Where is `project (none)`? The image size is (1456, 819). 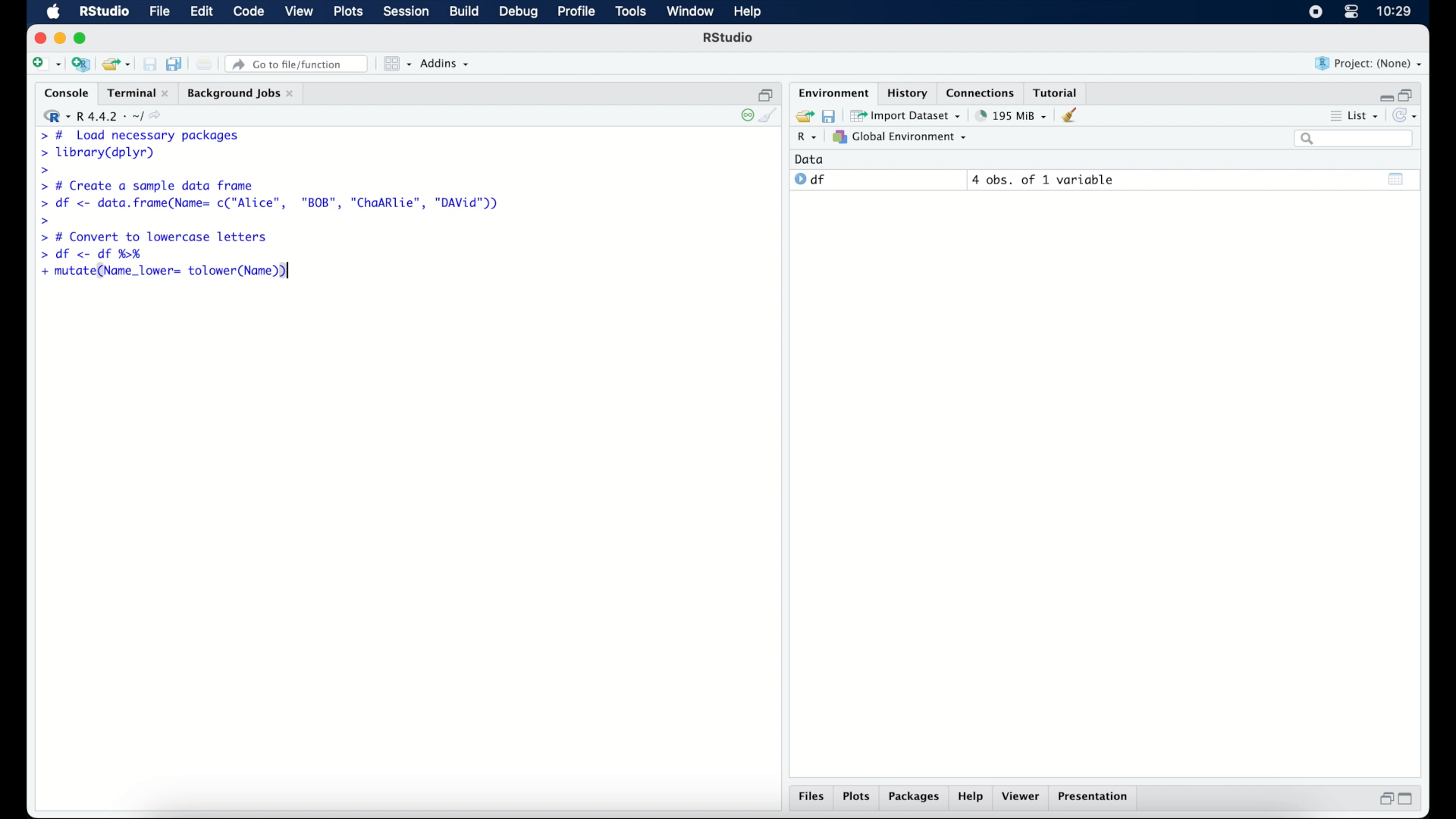
project (none) is located at coordinates (1370, 64).